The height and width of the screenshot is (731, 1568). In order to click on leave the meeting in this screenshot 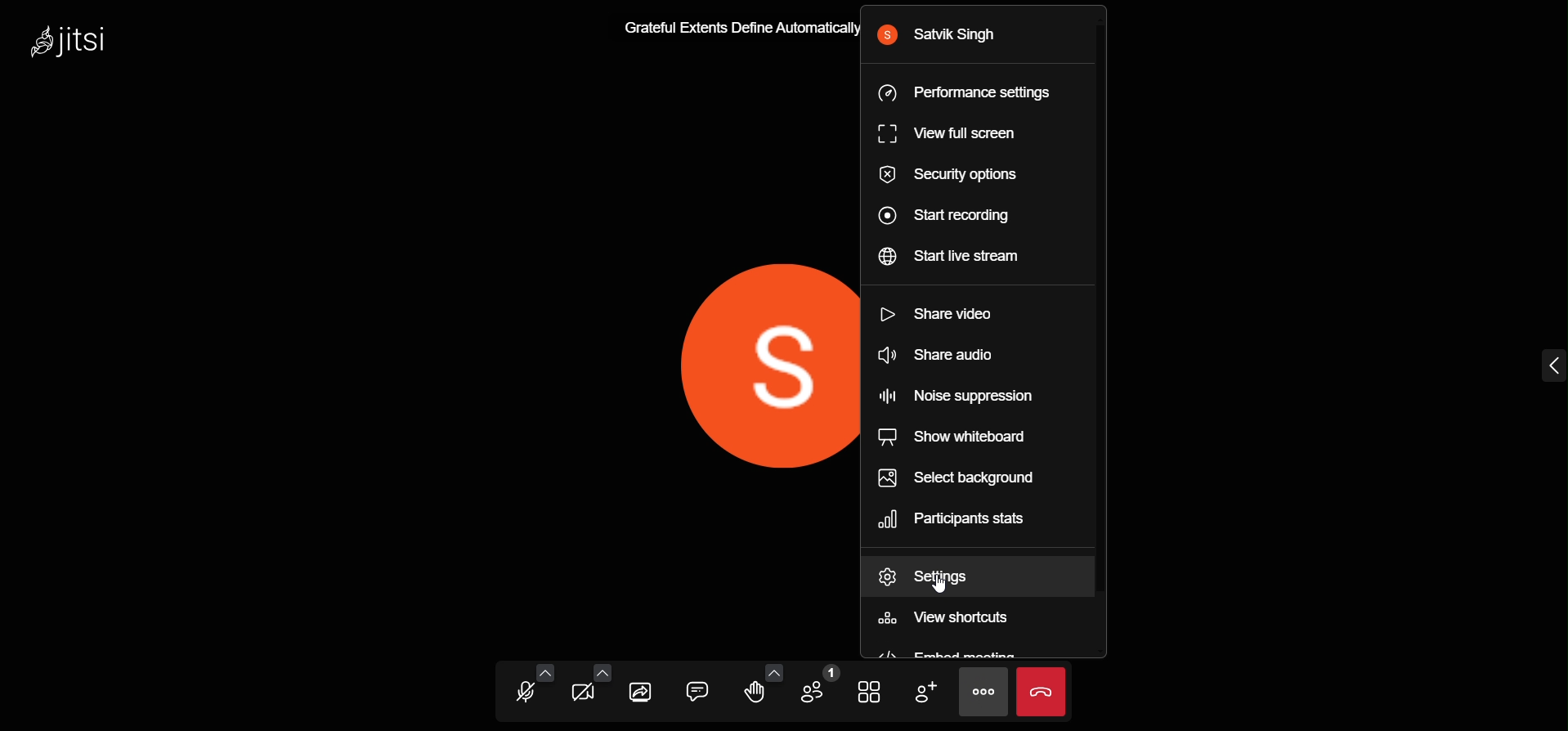, I will do `click(1046, 693)`.